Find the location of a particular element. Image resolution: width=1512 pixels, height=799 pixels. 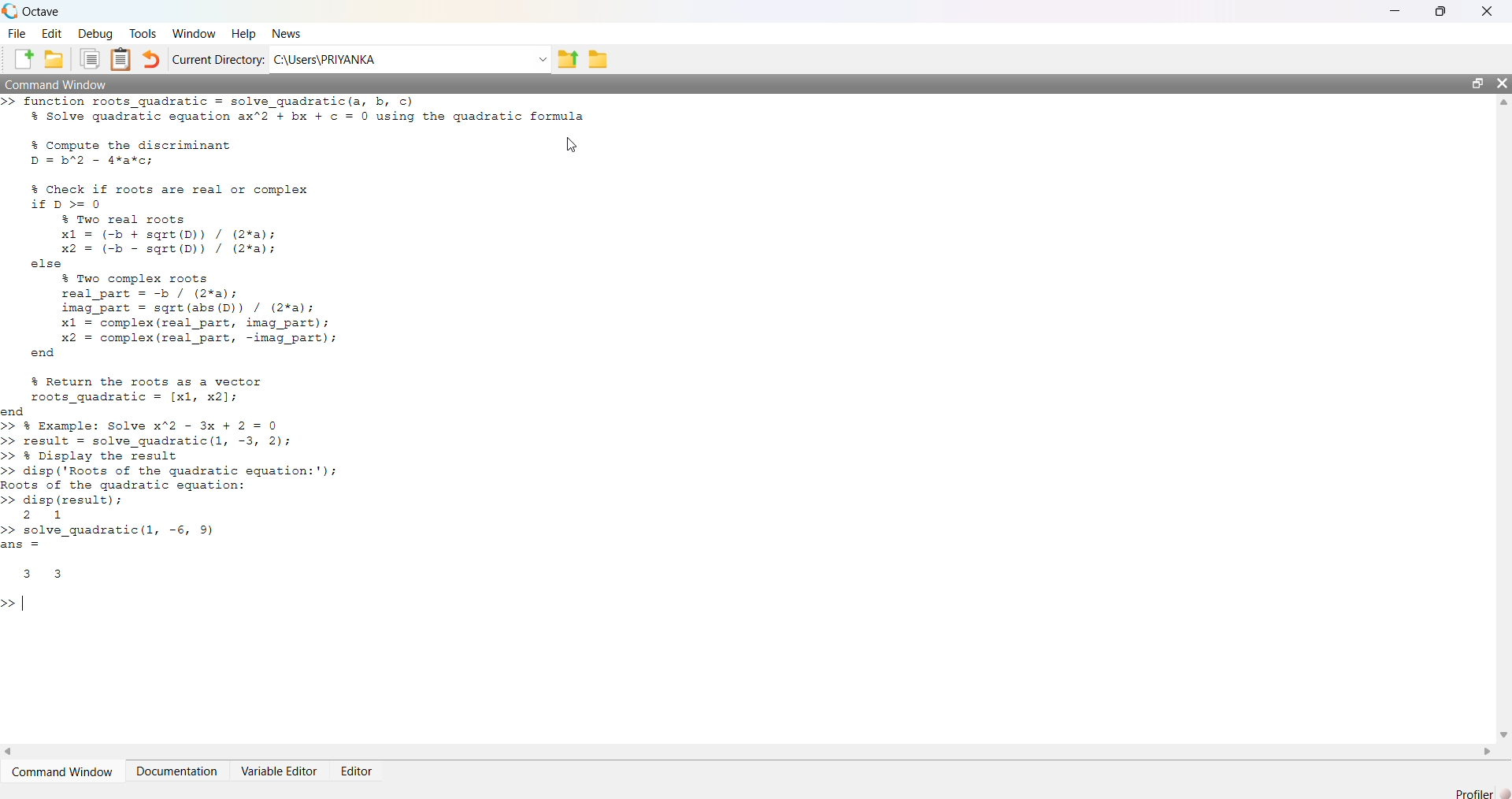

C:/Users/PRIYANKA is located at coordinates (401, 58).